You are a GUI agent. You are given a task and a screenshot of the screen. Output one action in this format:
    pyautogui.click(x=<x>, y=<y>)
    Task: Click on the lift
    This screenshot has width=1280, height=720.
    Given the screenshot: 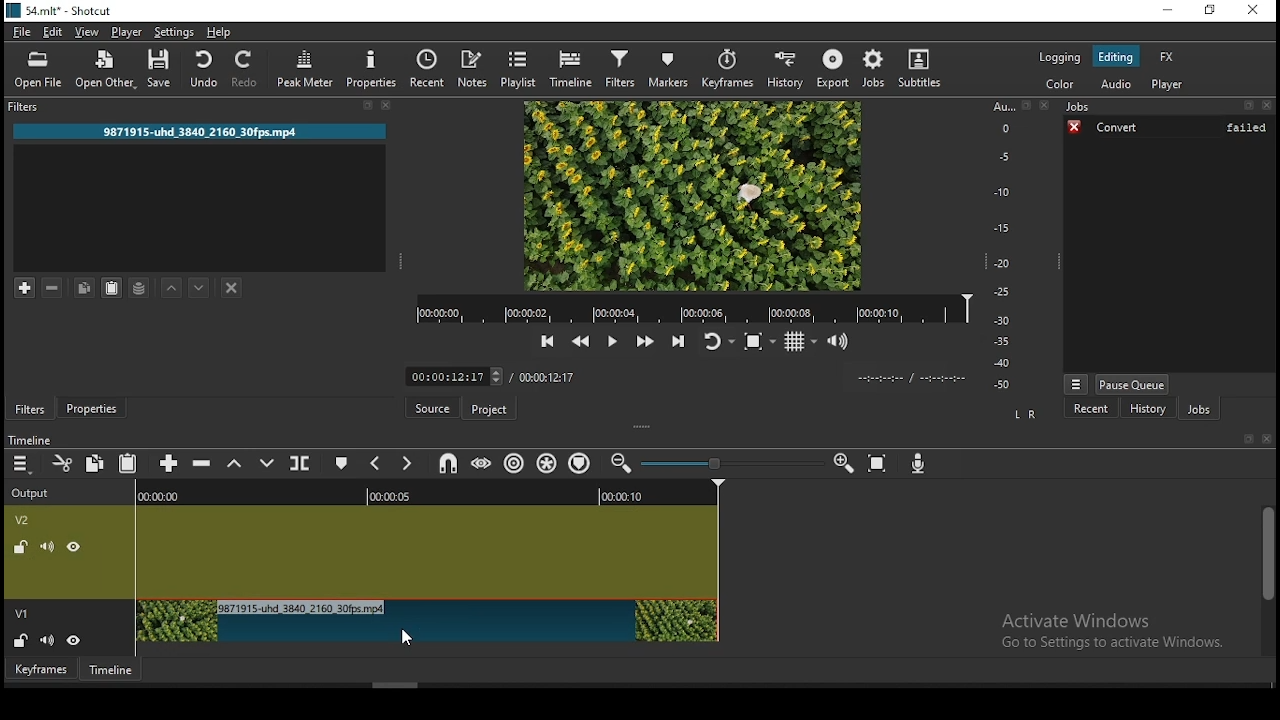 What is the action you would take?
    pyautogui.click(x=234, y=466)
    